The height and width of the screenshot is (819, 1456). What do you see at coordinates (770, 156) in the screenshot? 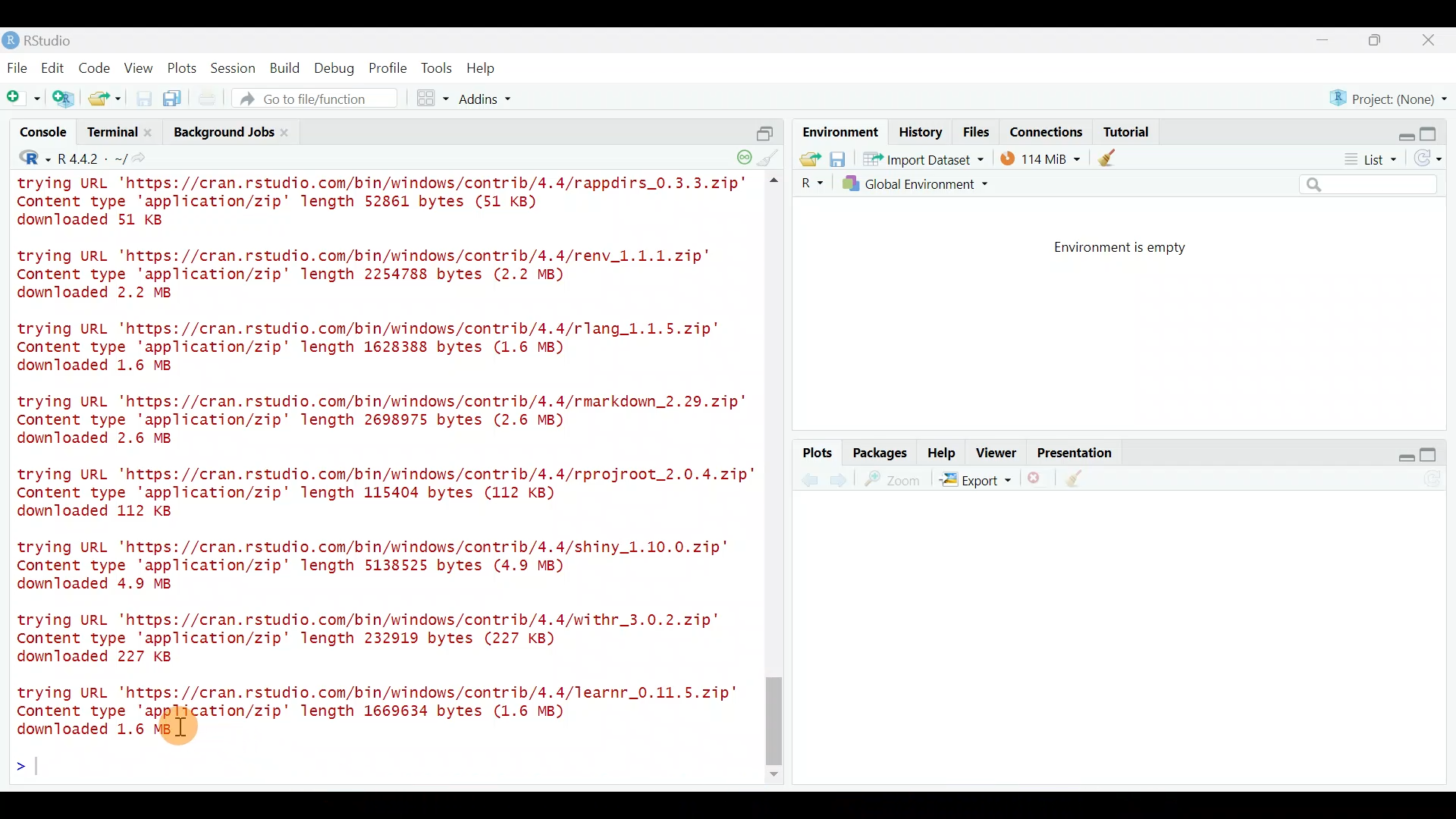
I see `clear console` at bounding box center [770, 156].